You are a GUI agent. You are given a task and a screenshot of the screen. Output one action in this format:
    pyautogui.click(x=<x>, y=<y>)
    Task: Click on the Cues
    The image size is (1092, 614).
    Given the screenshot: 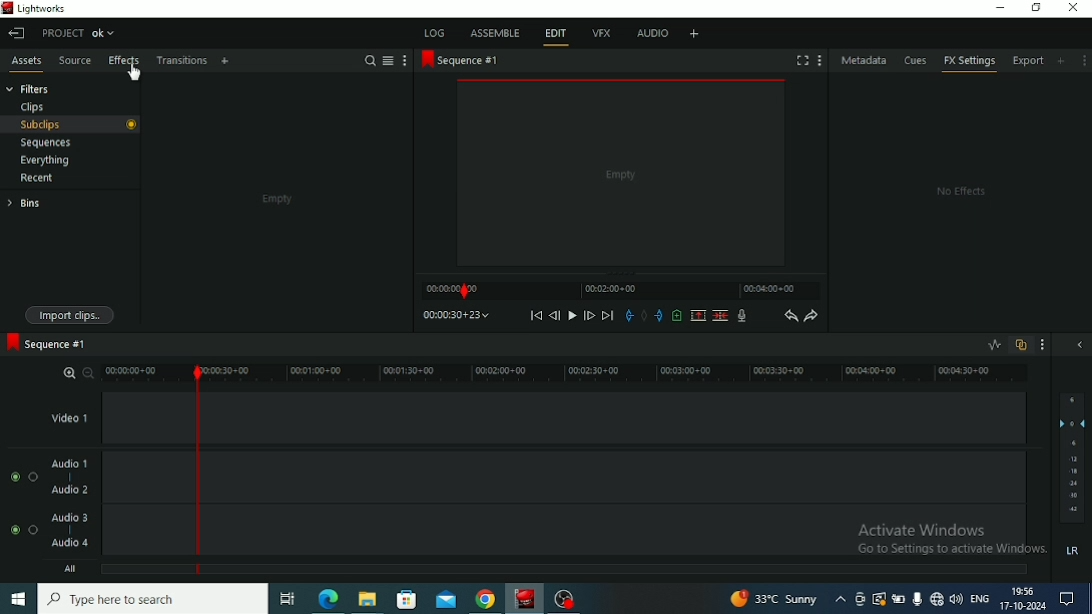 What is the action you would take?
    pyautogui.click(x=917, y=61)
    